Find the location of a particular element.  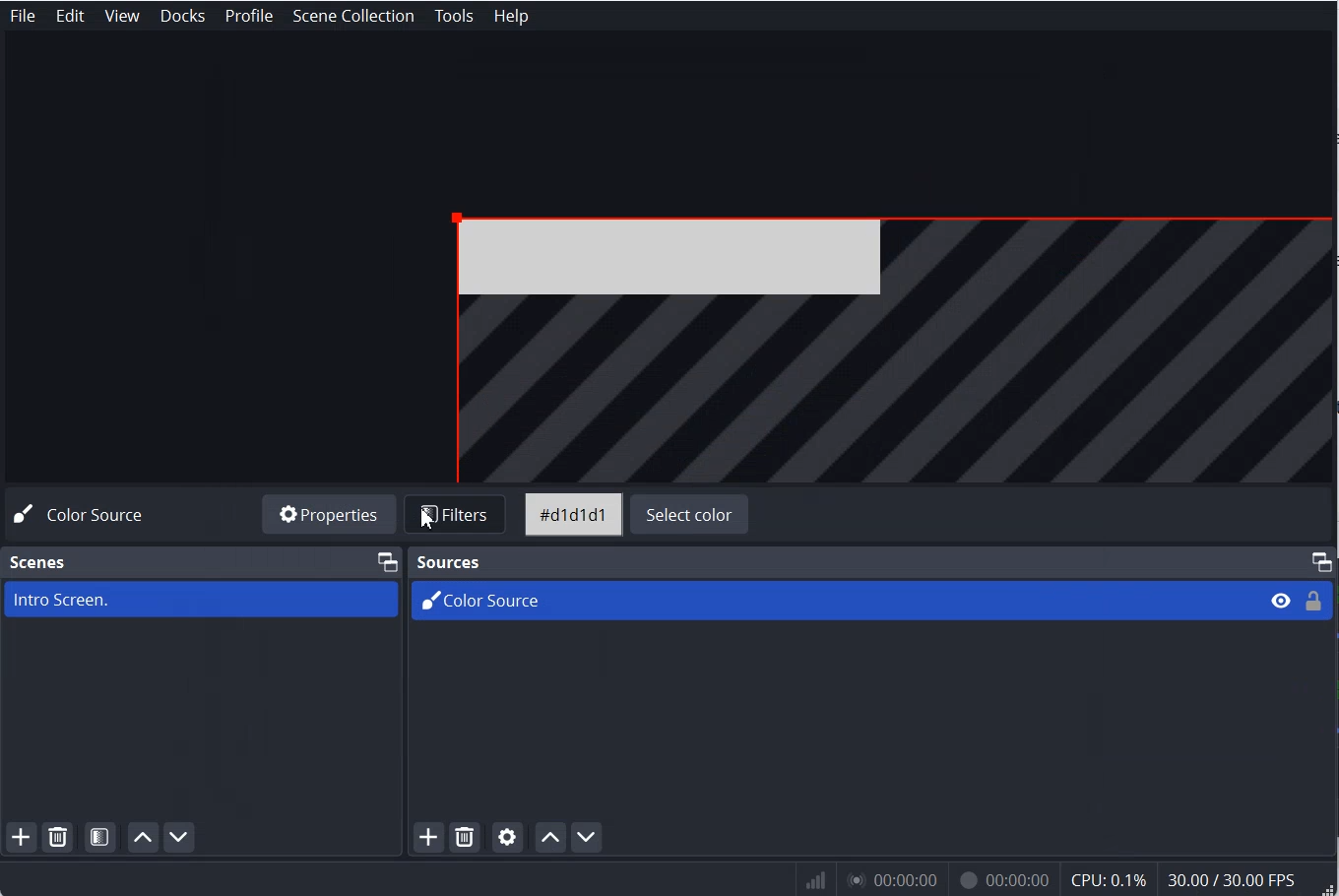

Select color is located at coordinates (690, 516).